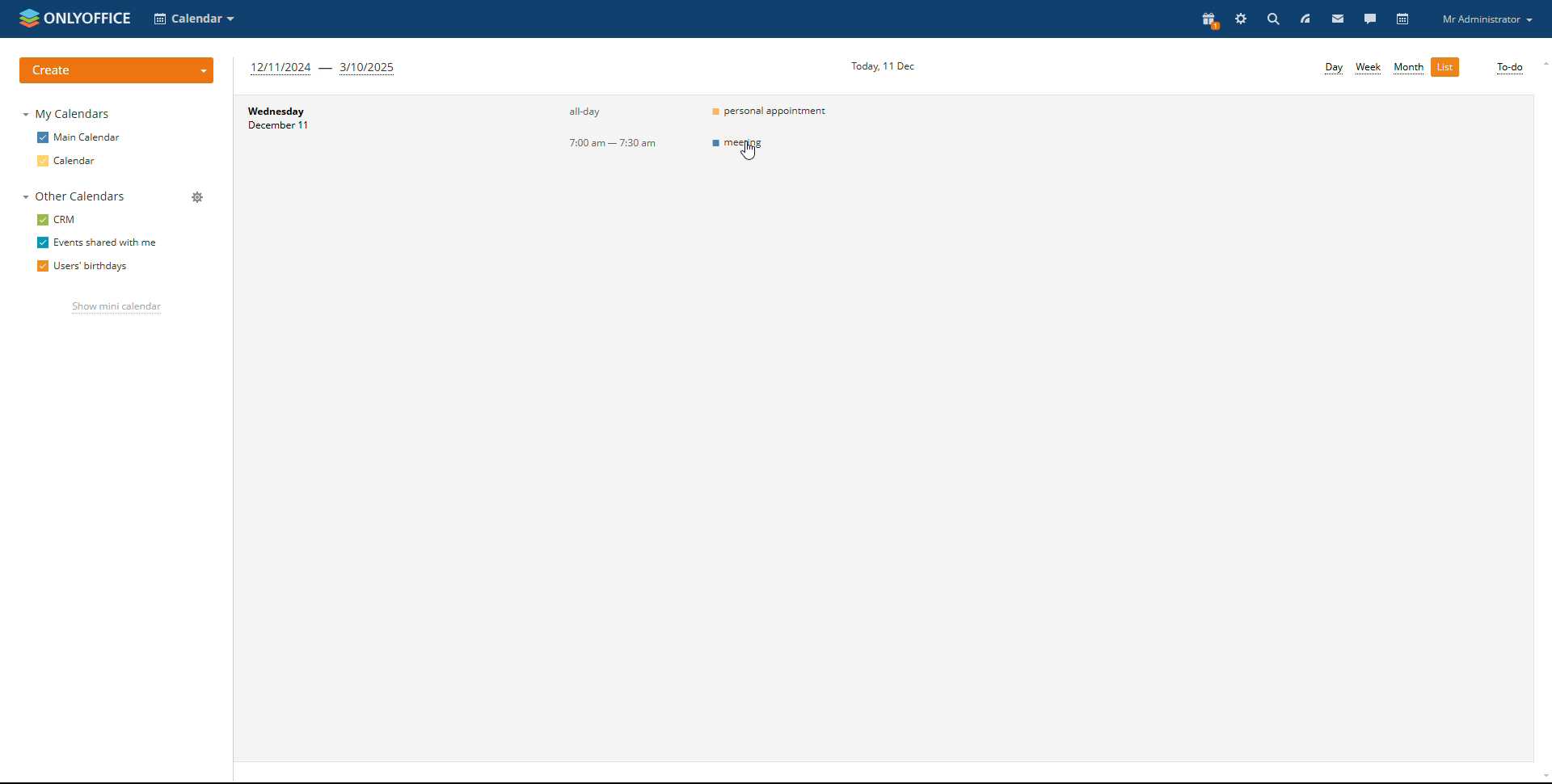 This screenshot has width=1552, height=784. I want to click on select application, so click(196, 19).